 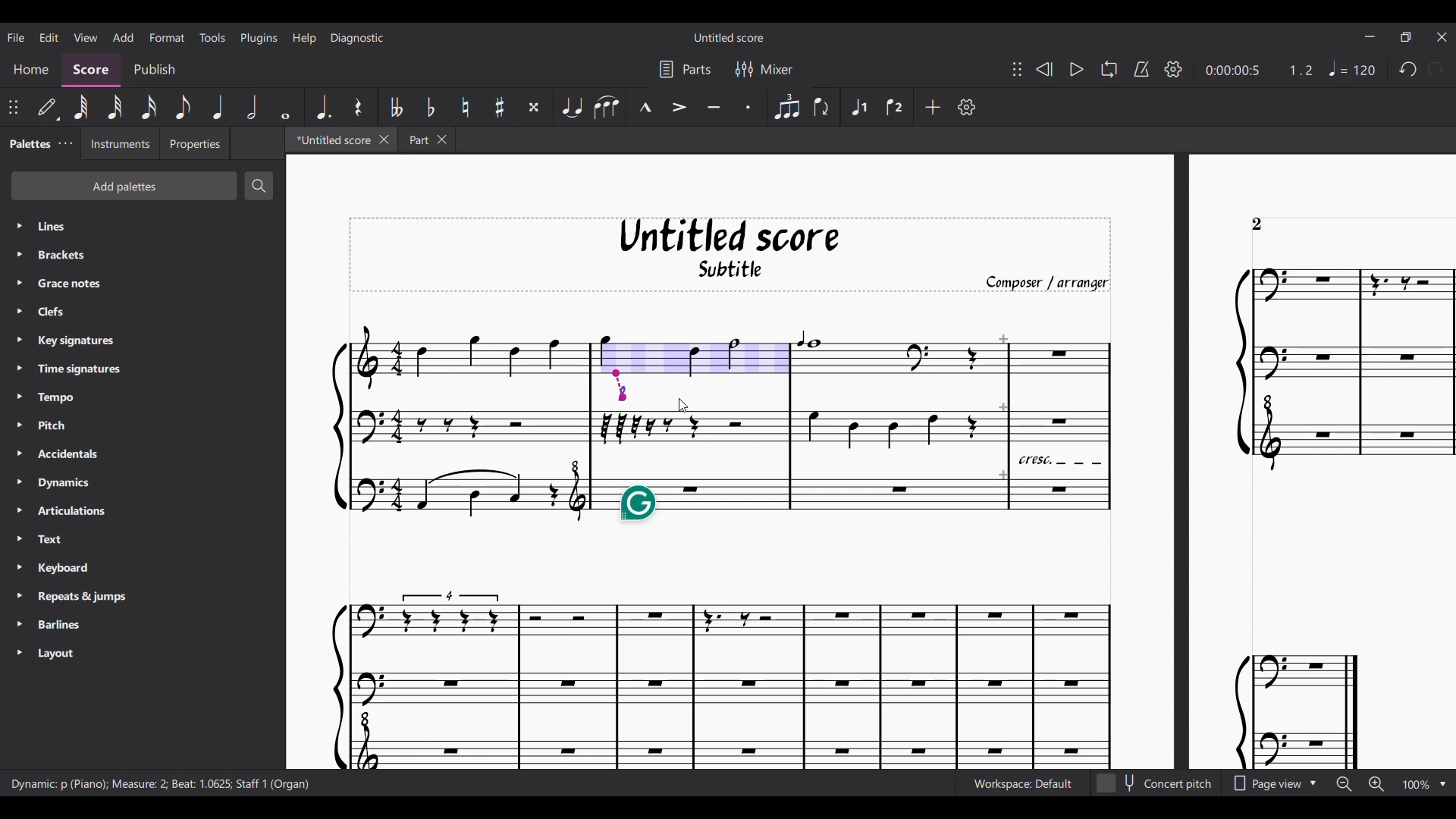 What do you see at coordinates (304, 38) in the screenshot?
I see `Help menu` at bounding box center [304, 38].